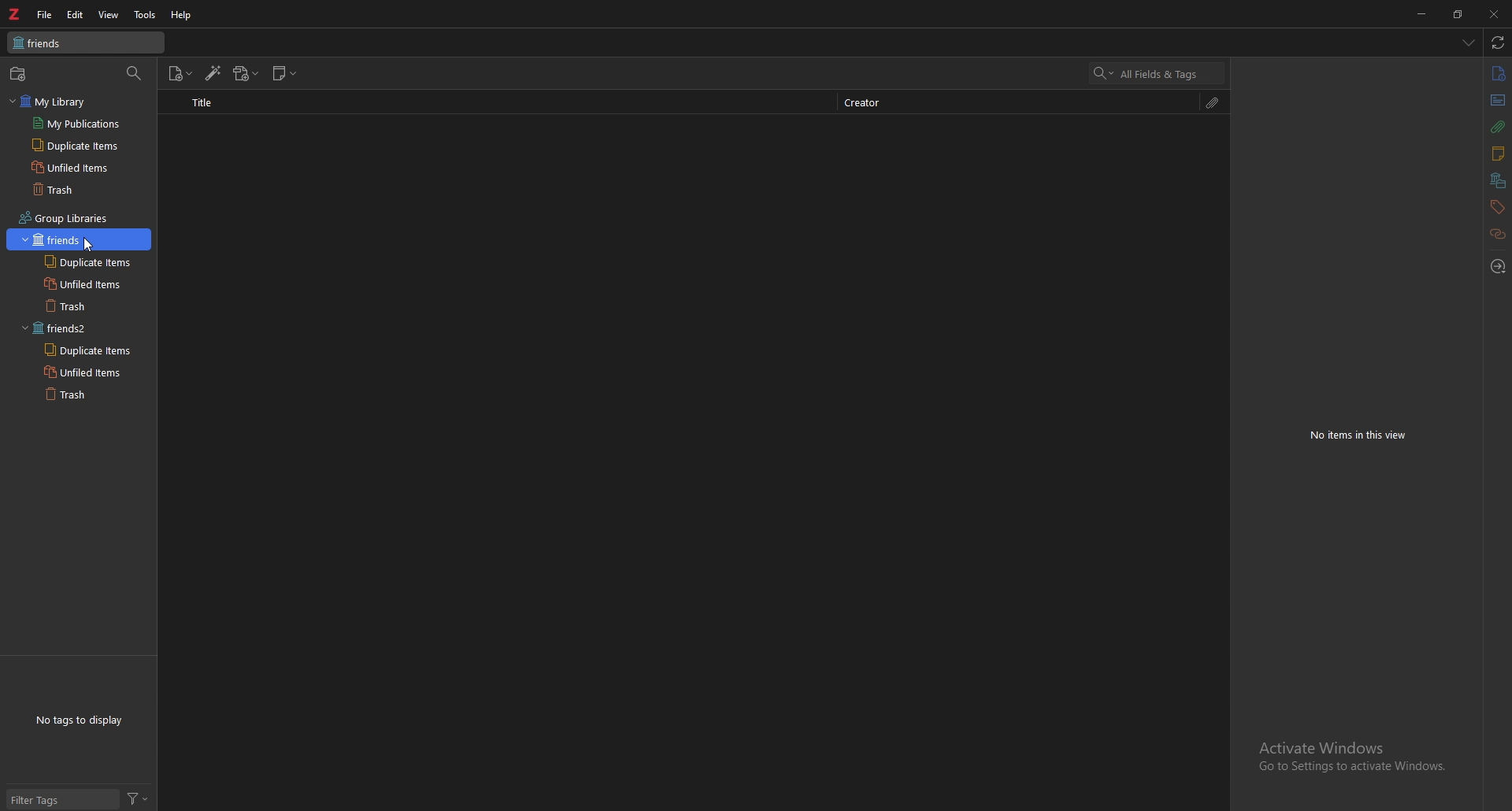 Image resolution: width=1512 pixels, height=811 pixels. Describe the element at coordinates (15, 13) in the screenshot. I see `zotero` at that location.